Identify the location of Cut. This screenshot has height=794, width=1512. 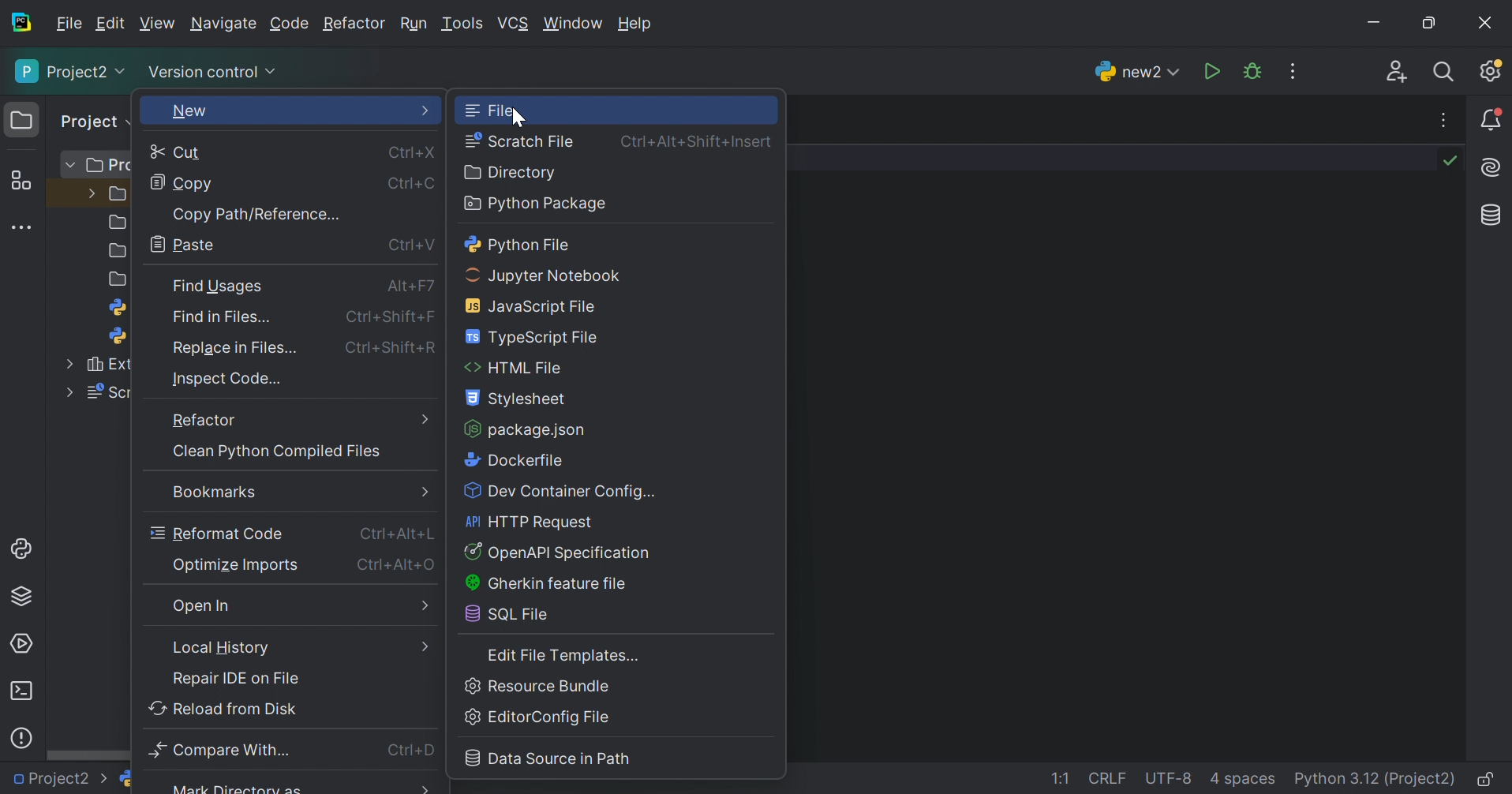
(179, 153).